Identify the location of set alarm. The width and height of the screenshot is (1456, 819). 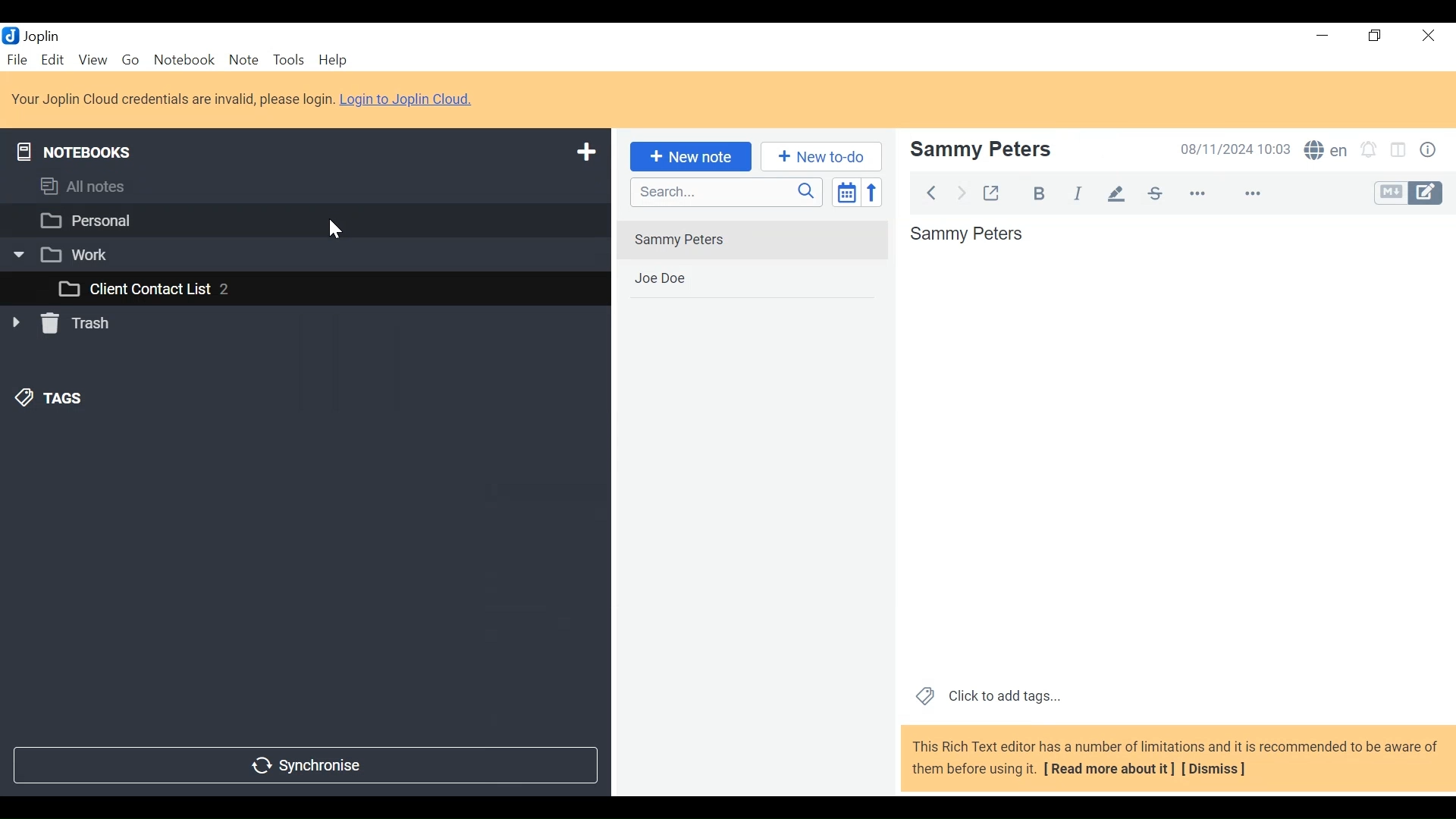
(1367, 150).